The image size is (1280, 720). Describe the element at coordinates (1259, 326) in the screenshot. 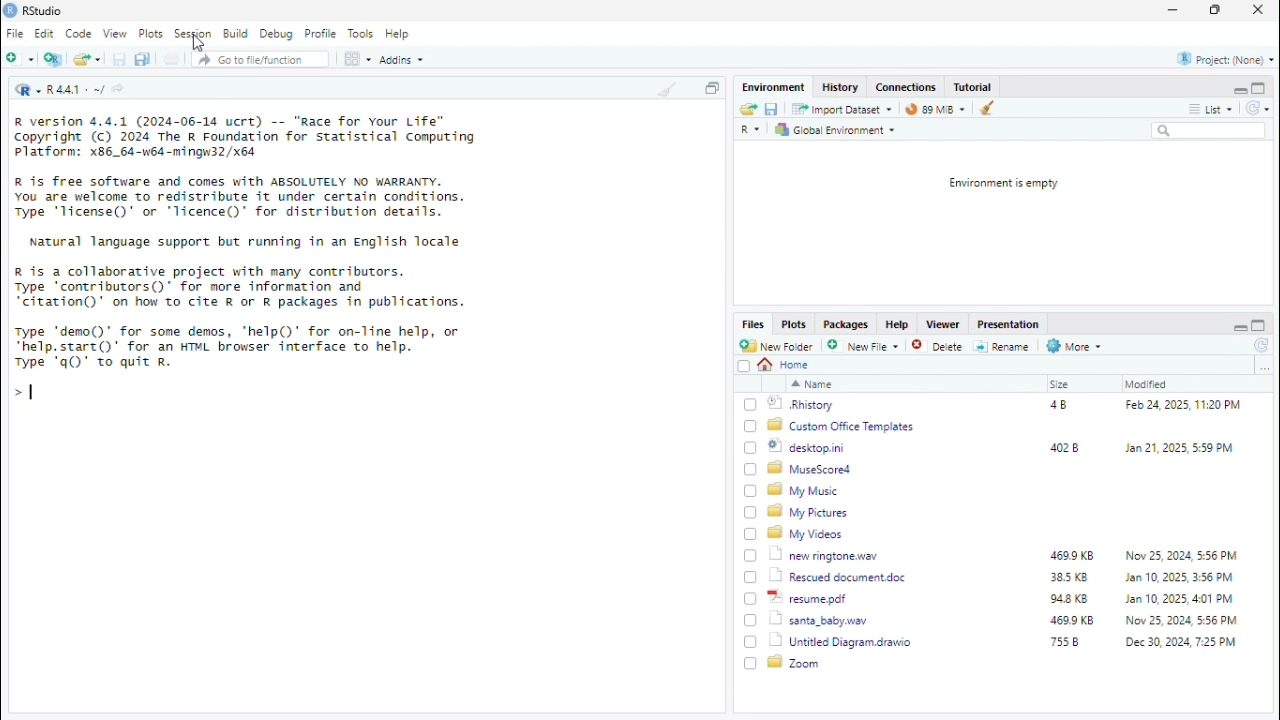

I see `maximise` at that location.